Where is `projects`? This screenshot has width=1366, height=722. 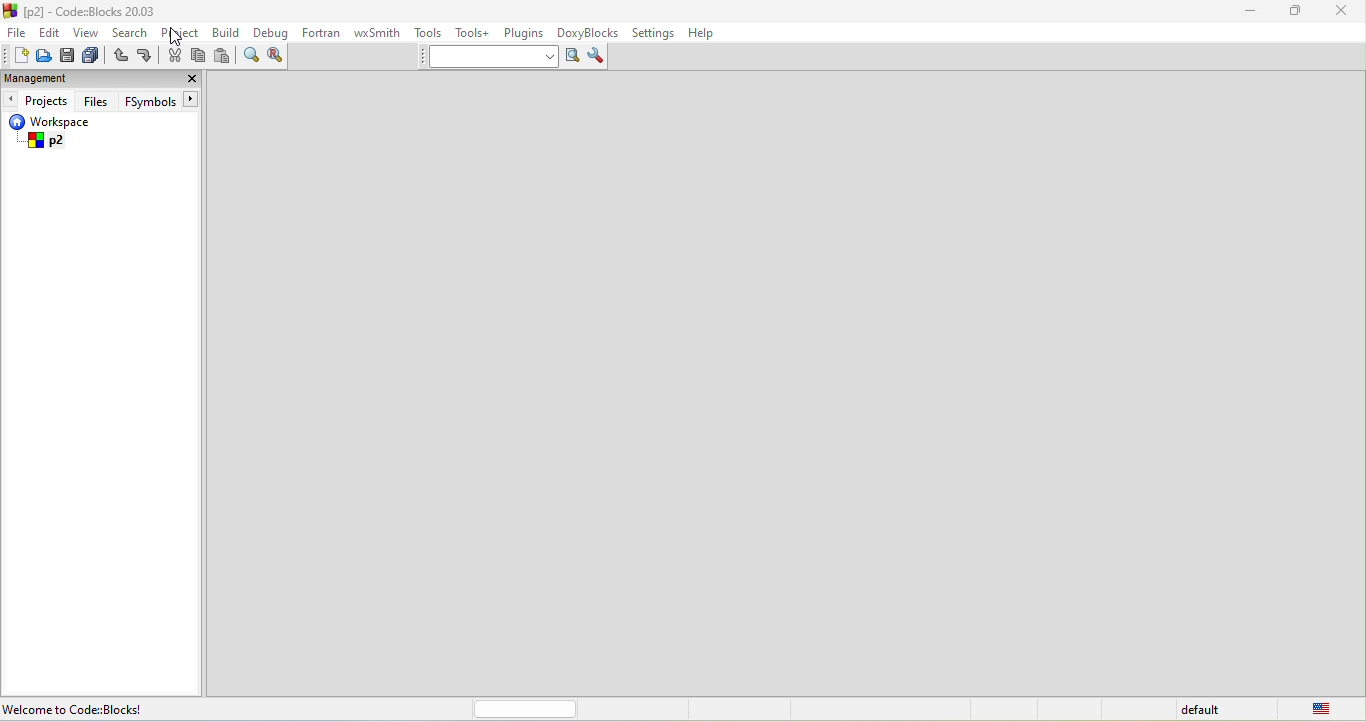
projects is located at coordinates (39, 101).